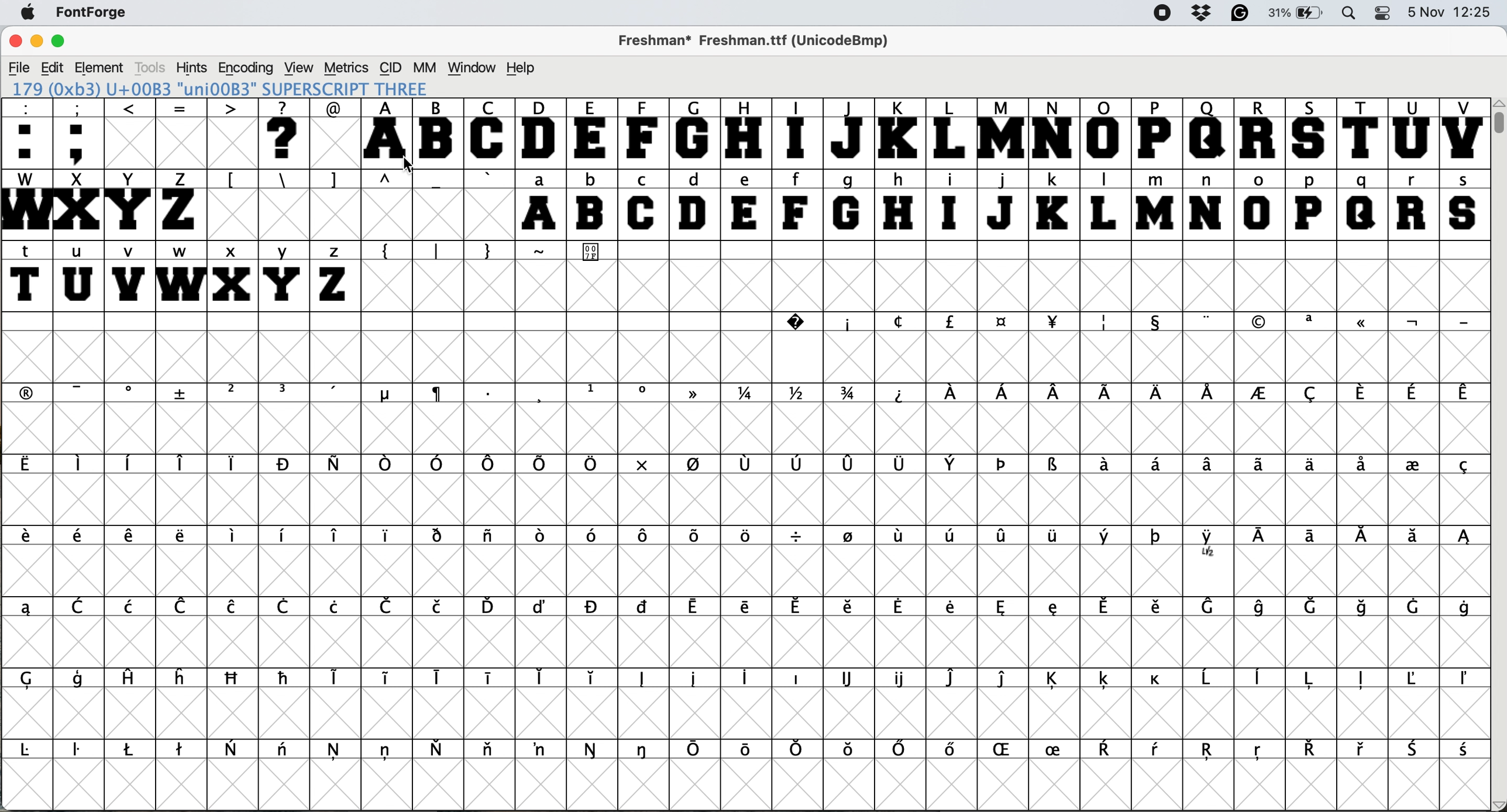 This screenshot has height=812, width=1507. I want to click on symbol, so click(80, 752).